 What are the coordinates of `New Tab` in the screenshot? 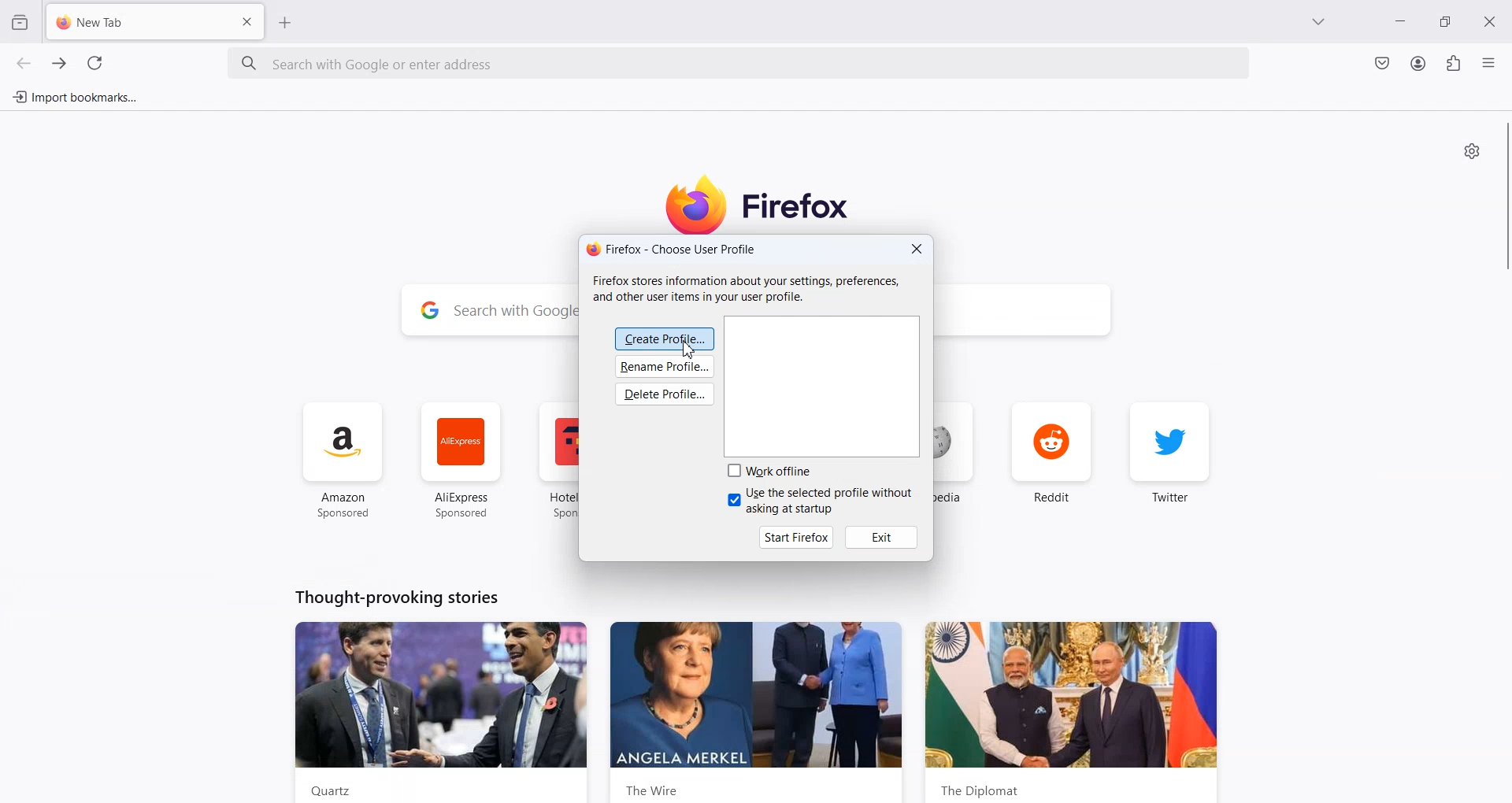 It's located at (132, 23).